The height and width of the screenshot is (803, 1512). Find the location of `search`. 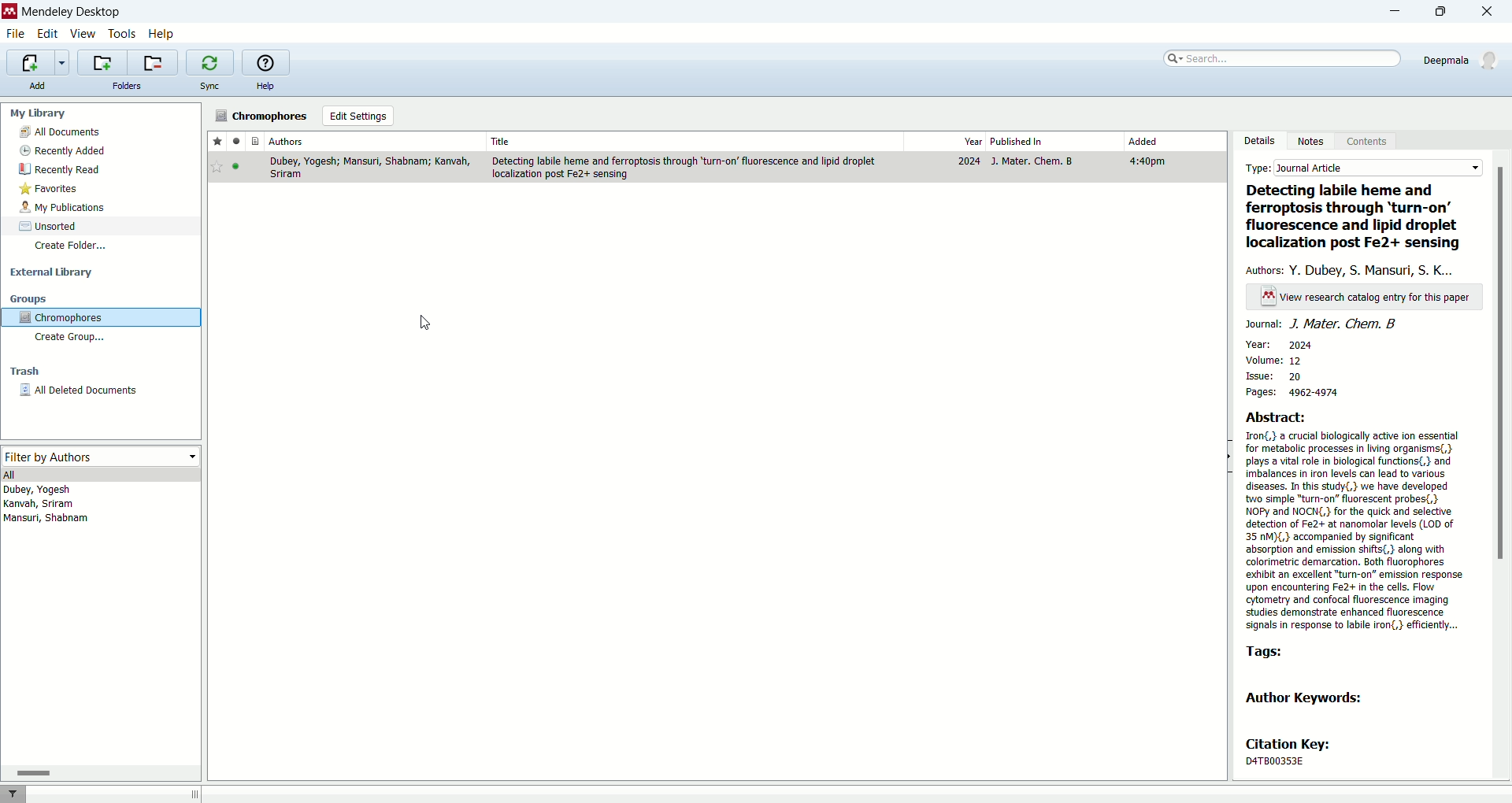

search is located at coordinates (1284, 57).